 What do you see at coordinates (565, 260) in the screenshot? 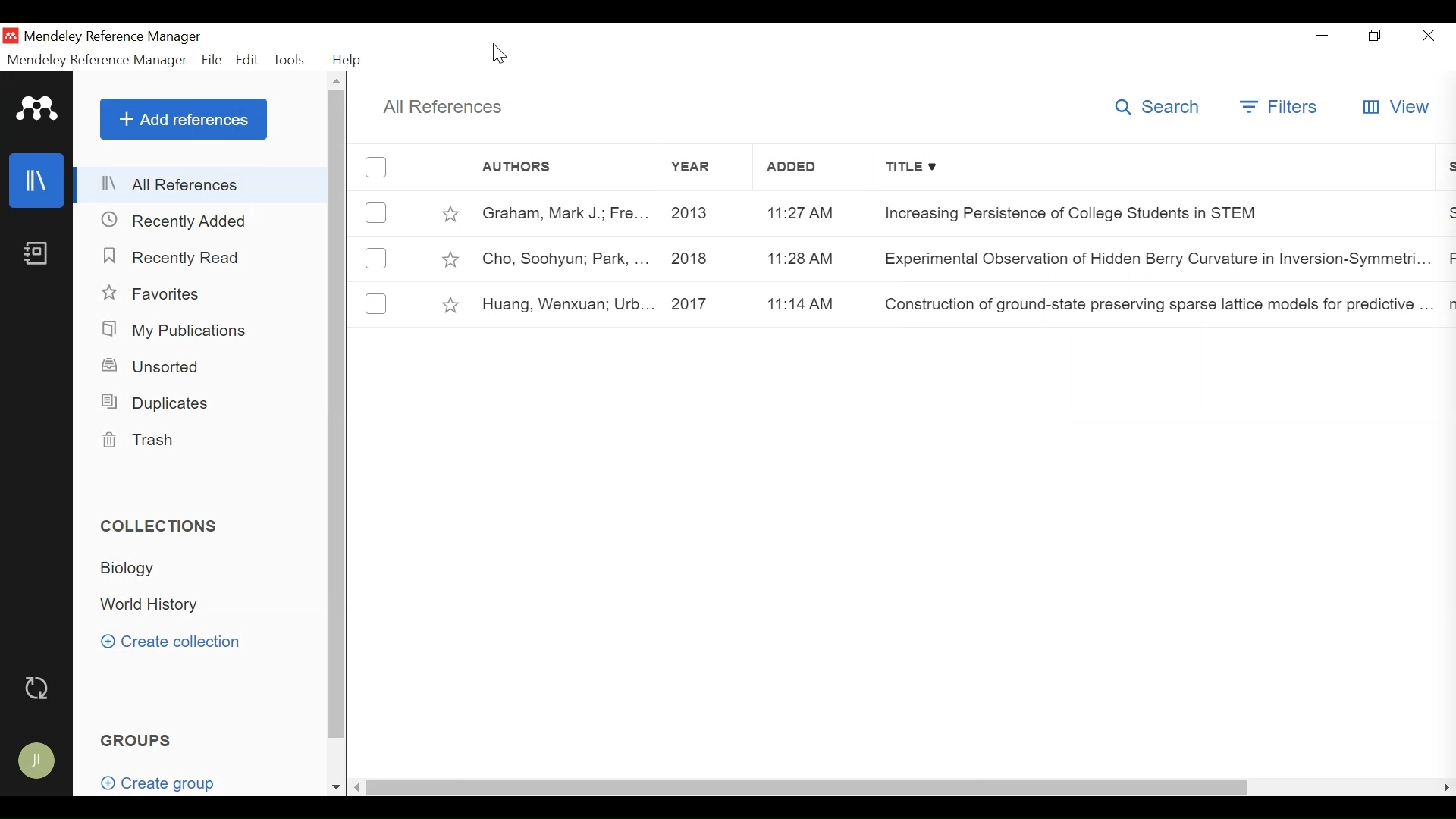
I see `Author` at bounding box center [565, 260].